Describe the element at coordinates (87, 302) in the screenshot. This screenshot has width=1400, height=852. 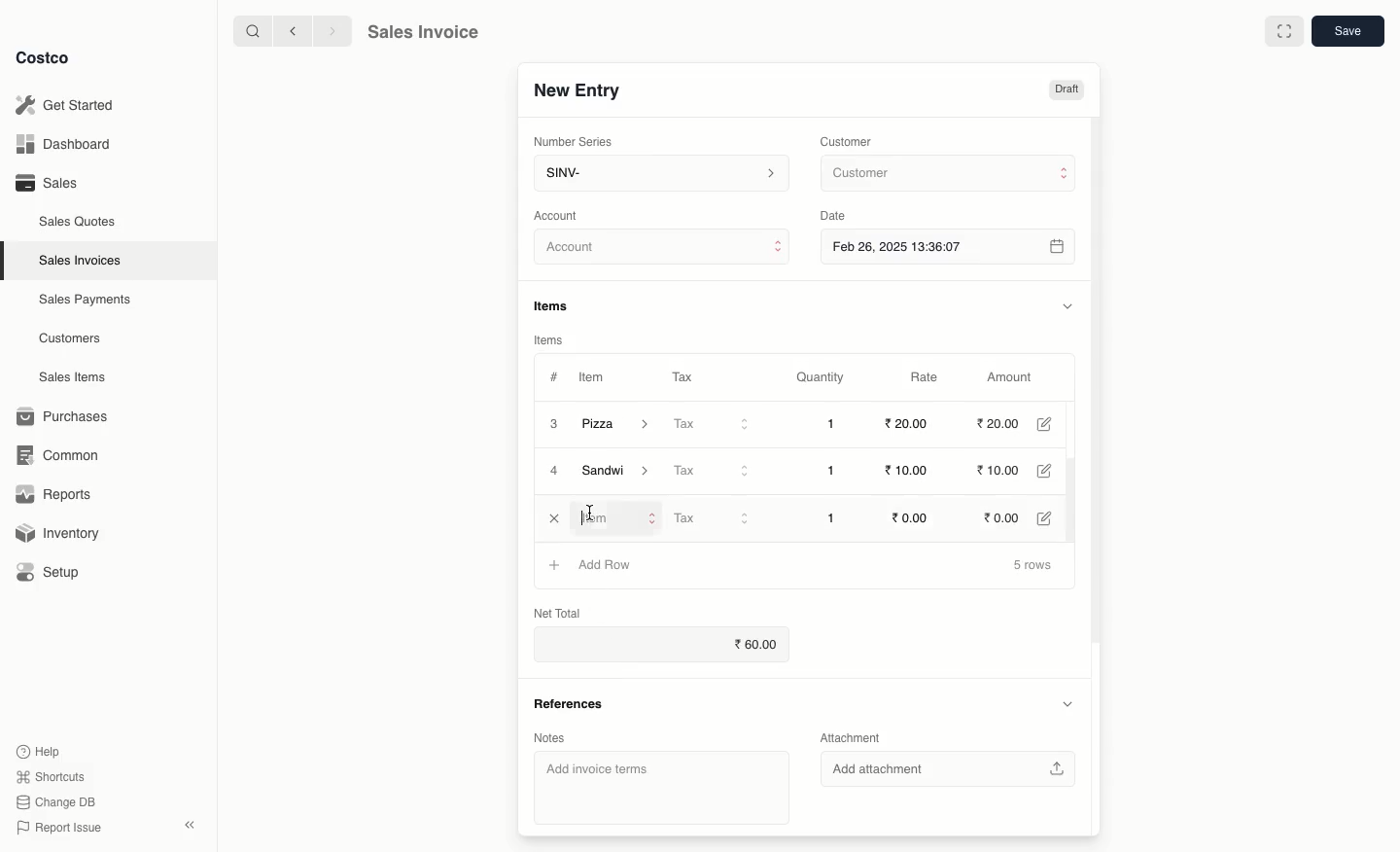
I see `Sales Payments.` at that location.